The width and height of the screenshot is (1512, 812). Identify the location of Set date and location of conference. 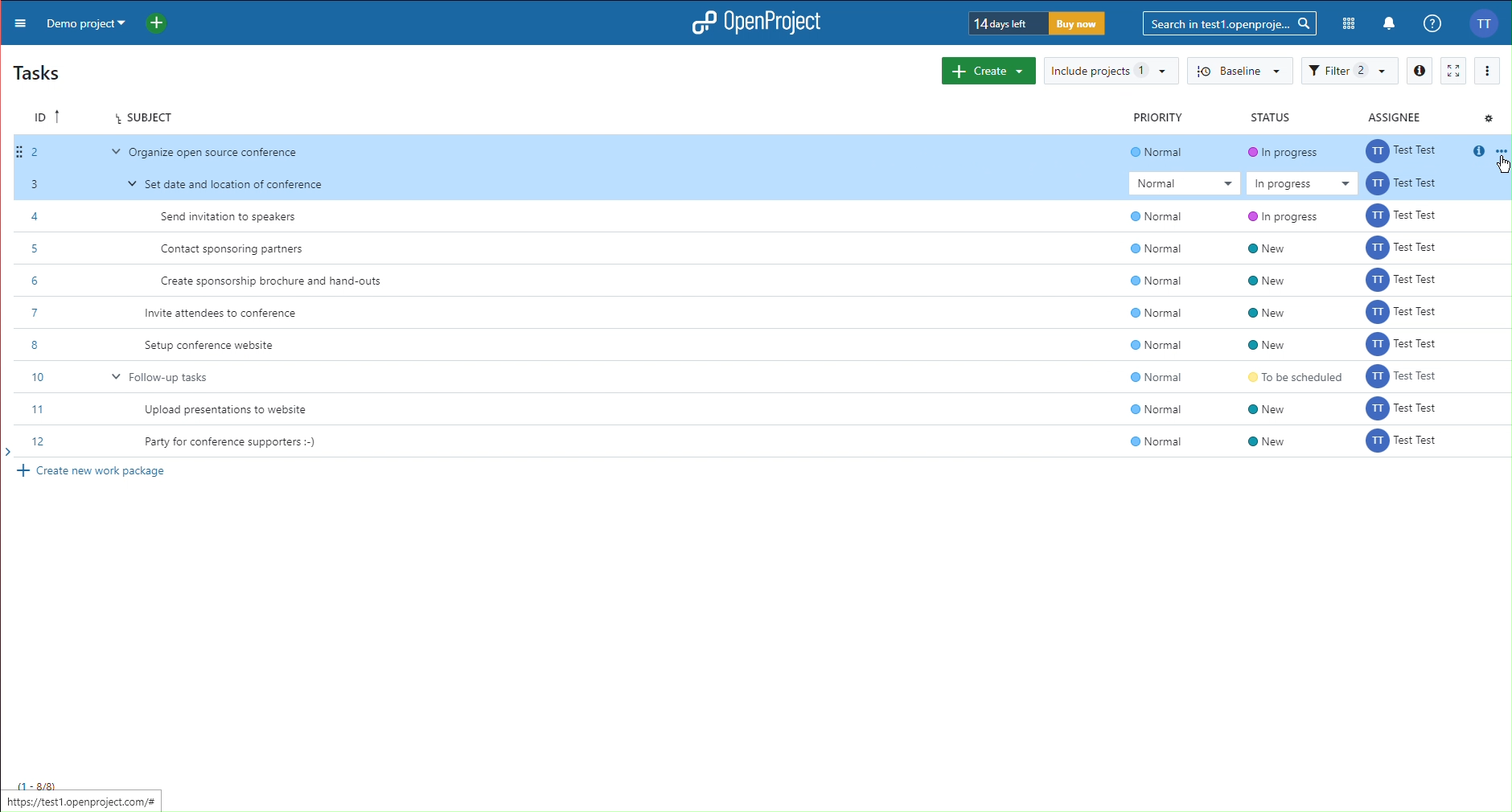
(229, 185).